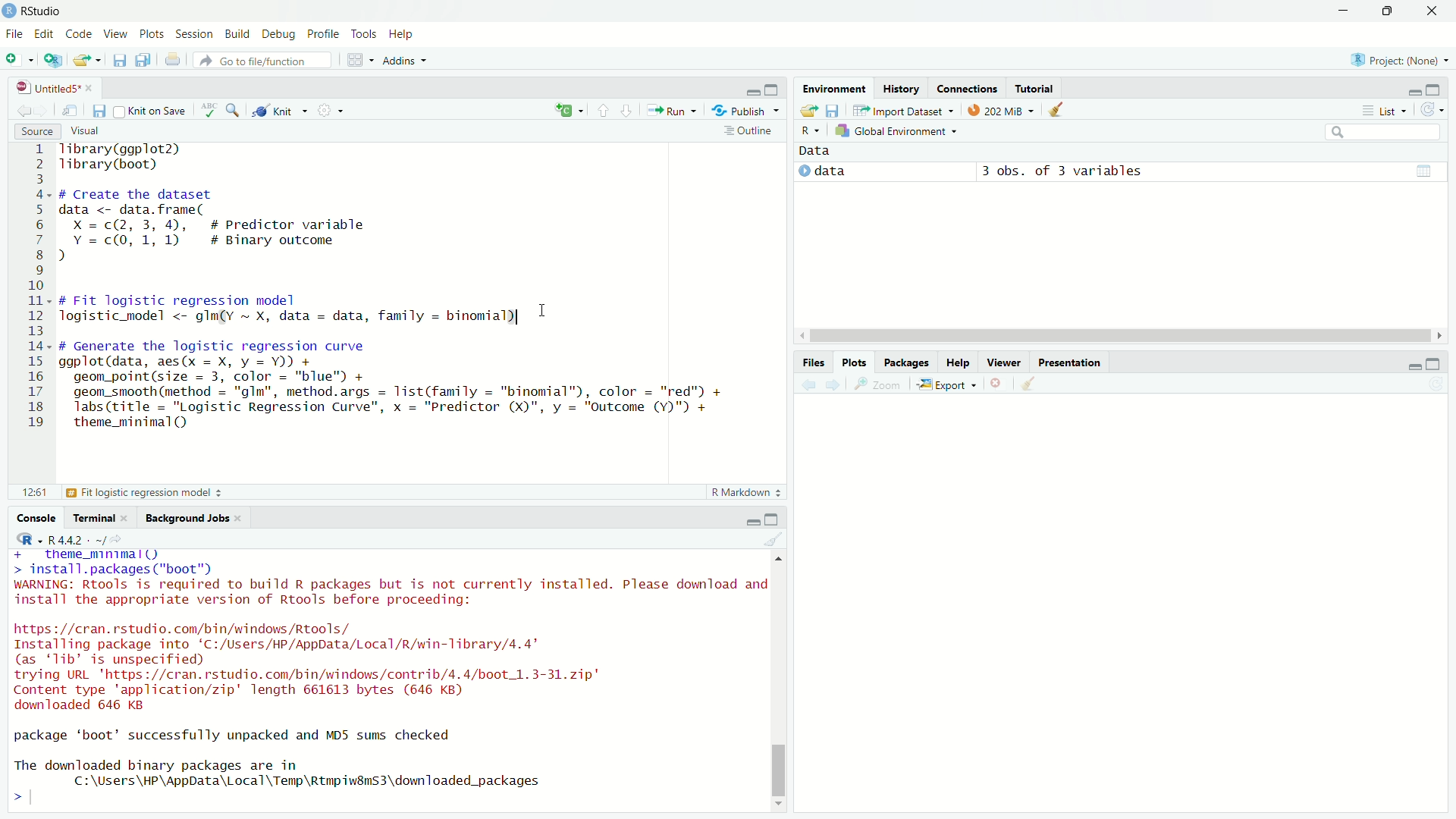  I want to click on File, so click(15, 33).